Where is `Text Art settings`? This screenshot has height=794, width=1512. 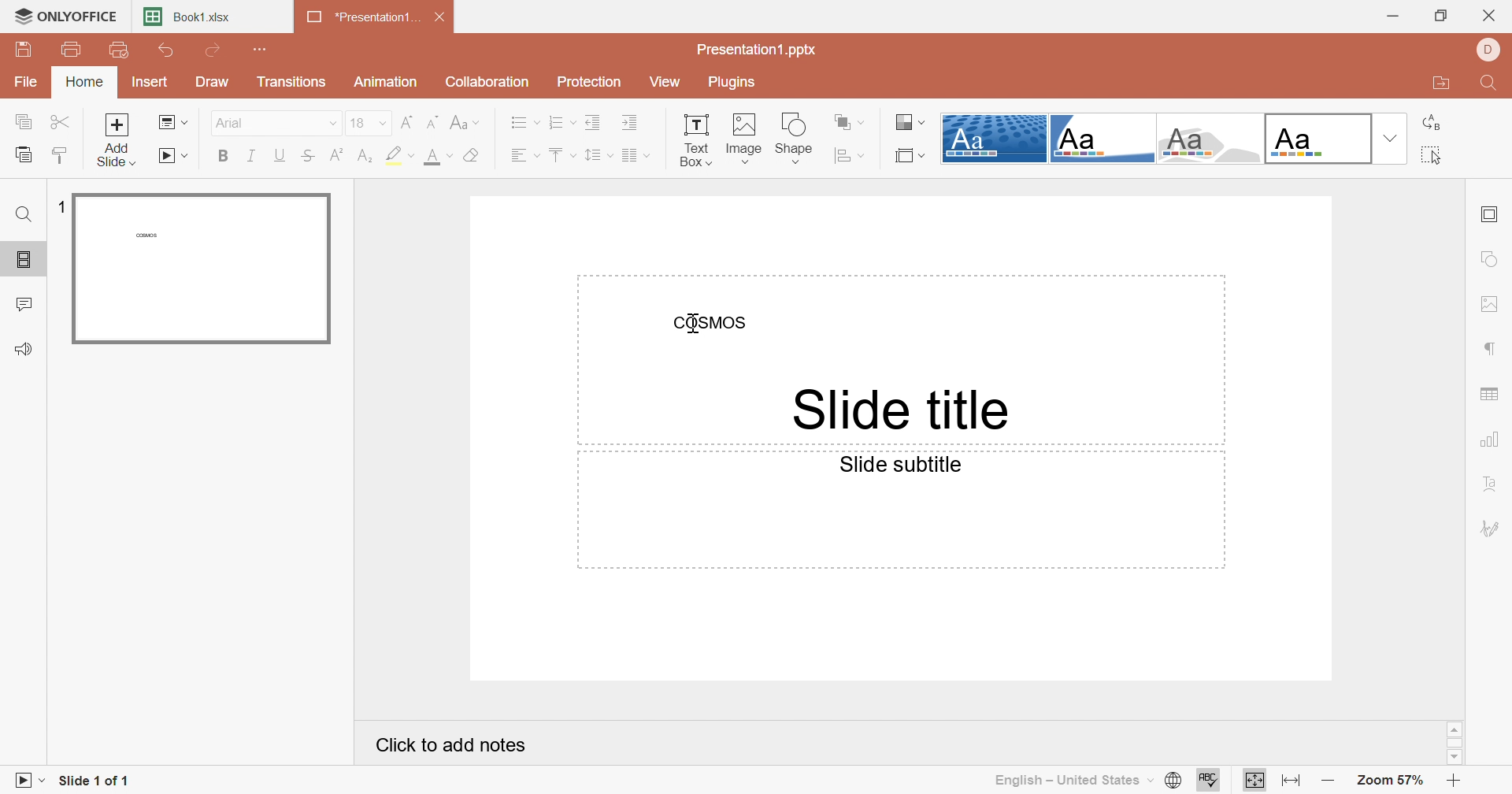 Text Art settings is located at coordinates (1492, 484).